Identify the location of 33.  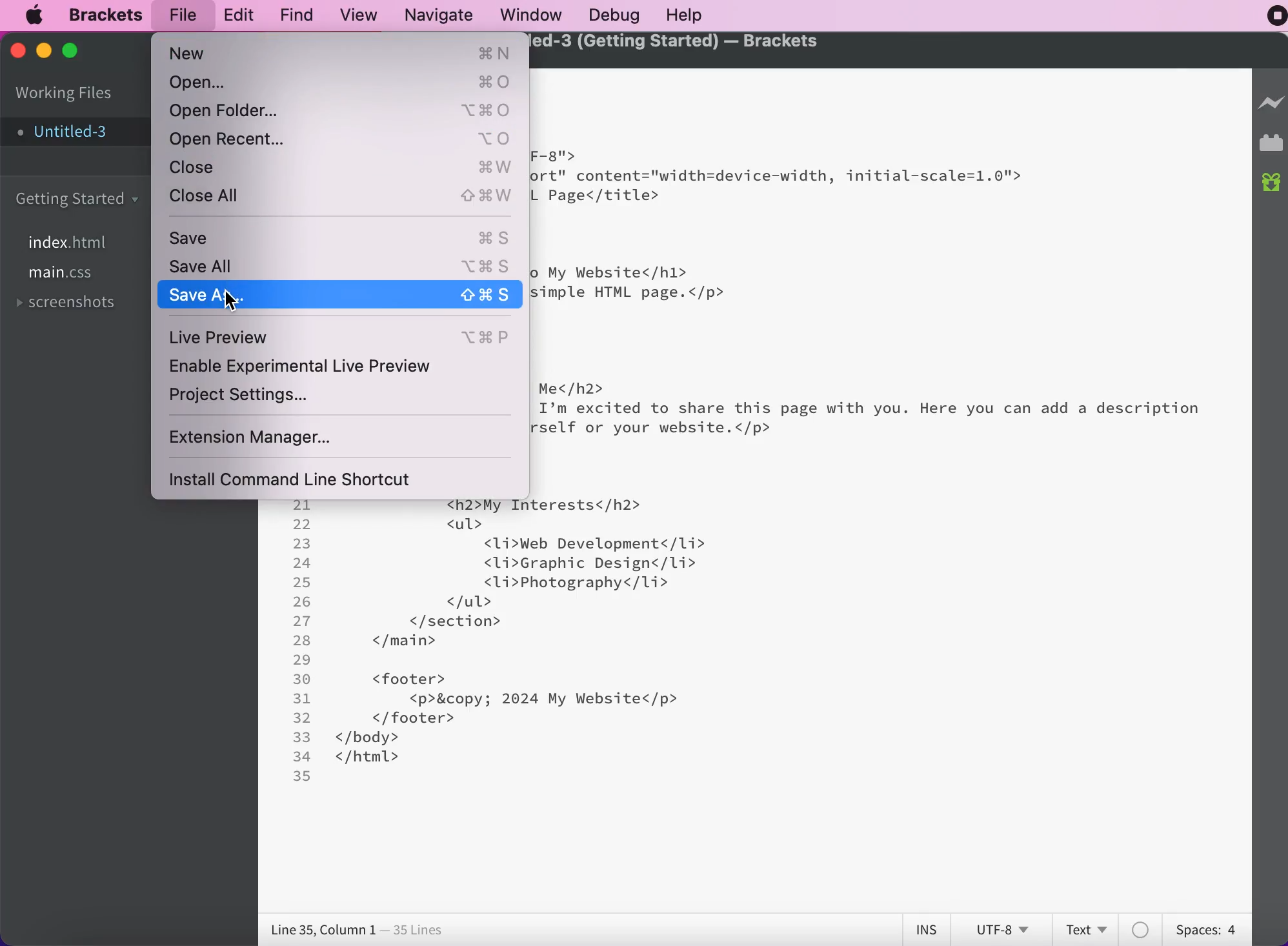
(302, 737).